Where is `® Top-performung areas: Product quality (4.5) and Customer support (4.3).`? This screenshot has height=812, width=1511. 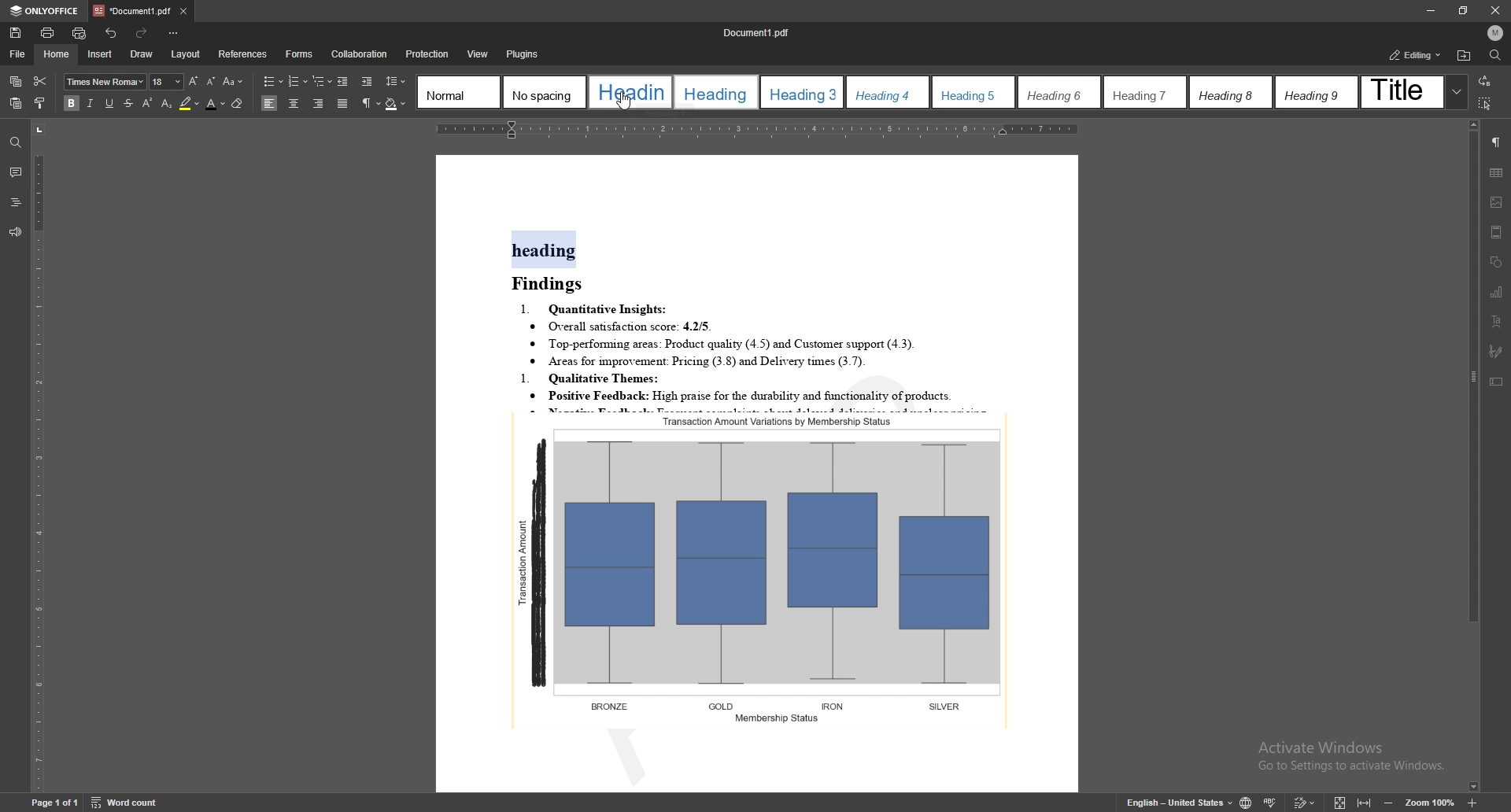 ® Top-performung areas: Product quality (4.5) and Customer support (4.3). is located at coordinates (729, 345).